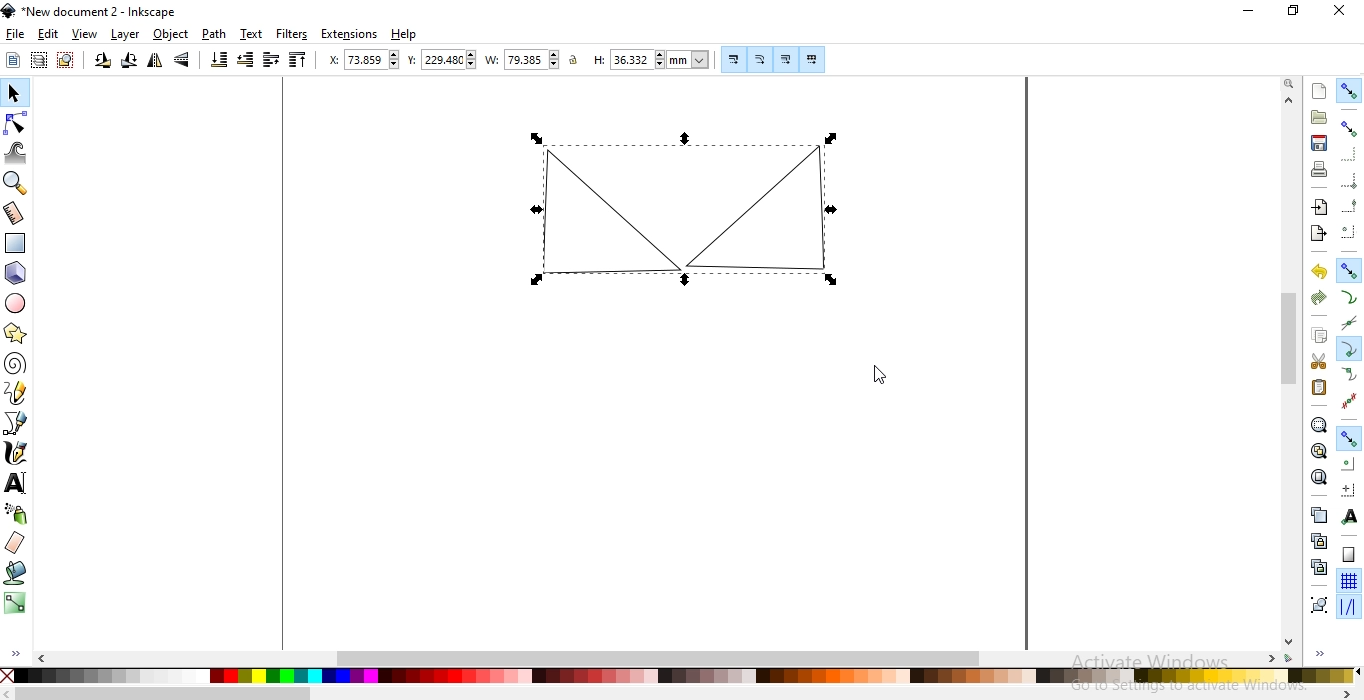 The height and width of the screenshot is (700, 1364). I want to click on vertical coordinate of selection, so click(443, 59).